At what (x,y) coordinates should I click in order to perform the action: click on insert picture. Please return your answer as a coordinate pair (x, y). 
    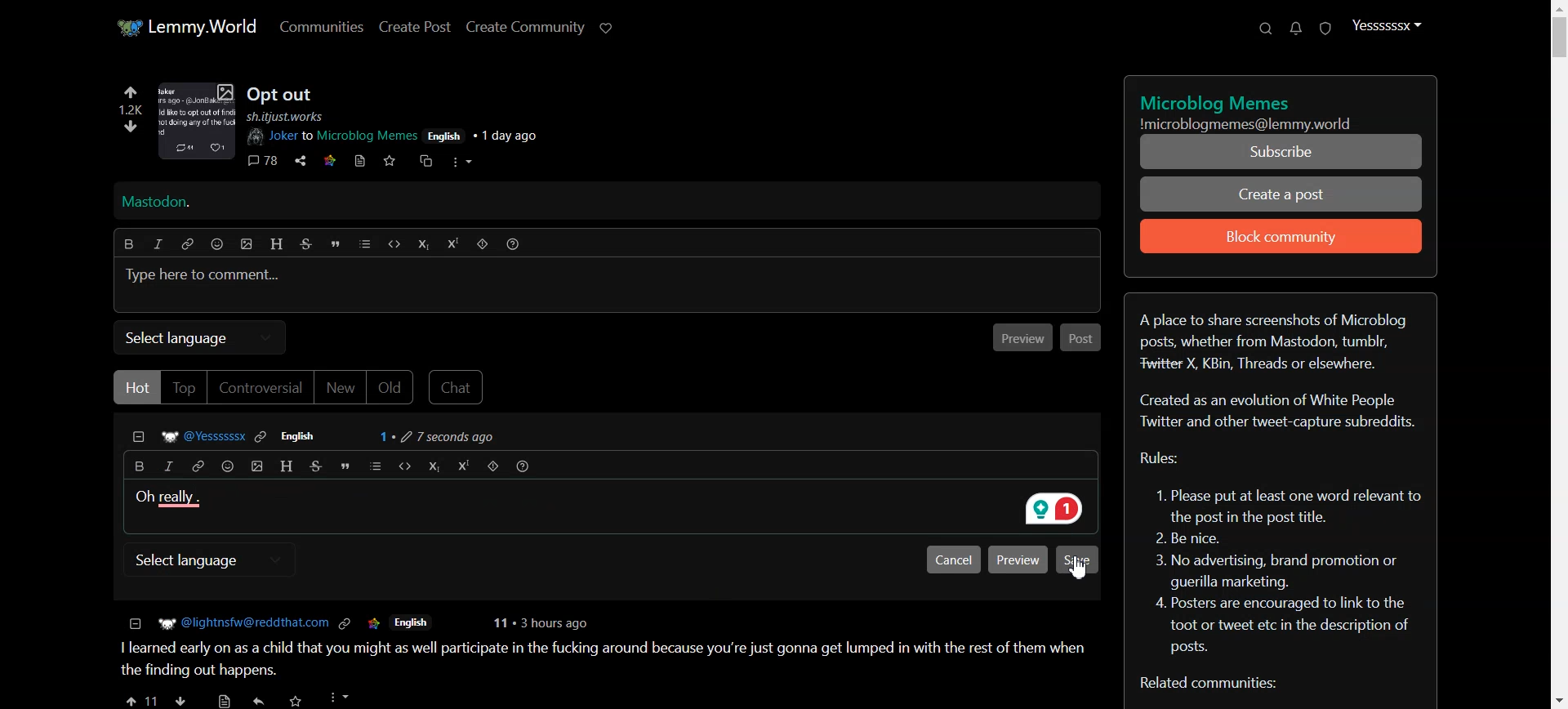
    Looking at the image, I should click on (247, 245).